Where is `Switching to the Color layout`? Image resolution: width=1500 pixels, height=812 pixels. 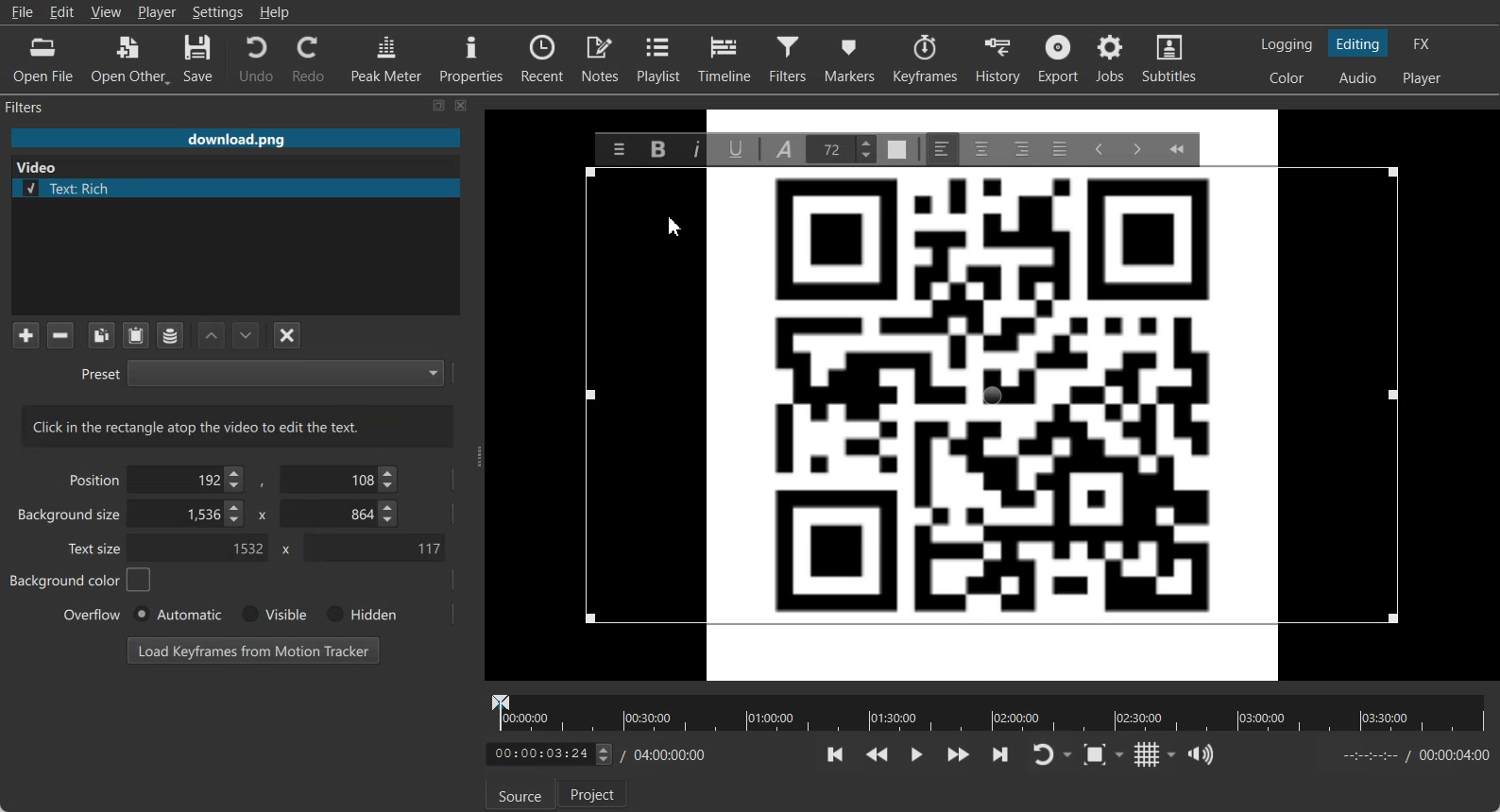
Switching to the Color layout is located at coordinates (1287, 78).